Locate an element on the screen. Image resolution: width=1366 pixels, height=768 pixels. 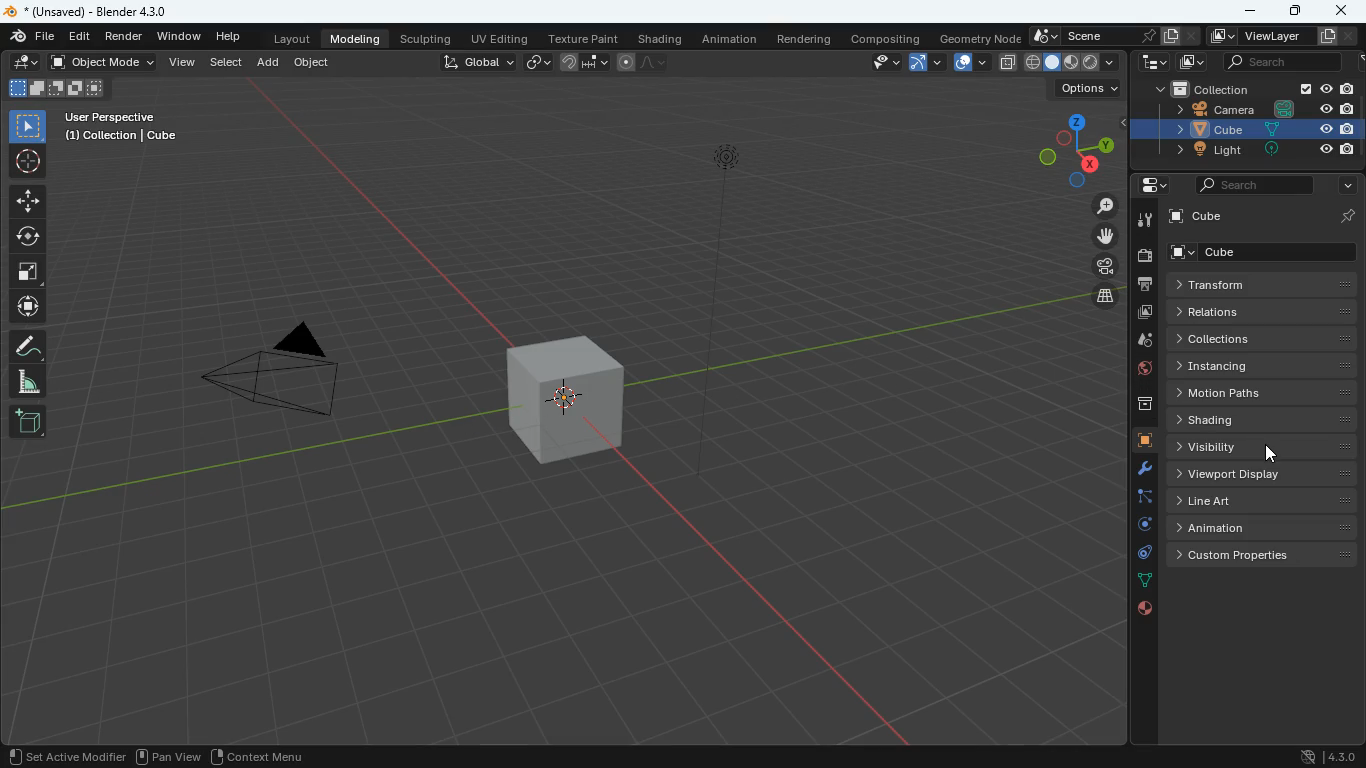
settings is located at coordinates (1147, 187).